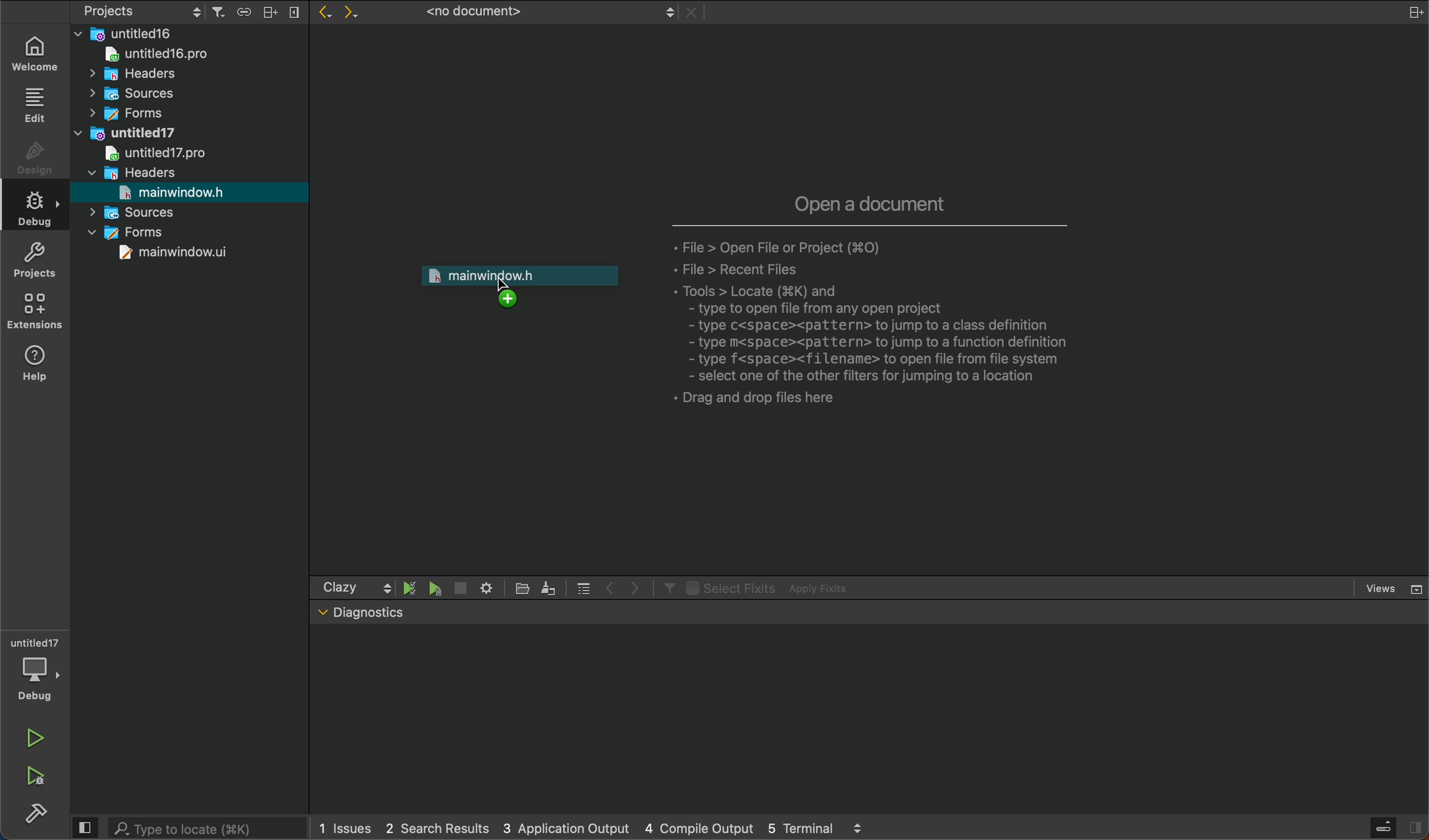  What do you see at coordinates (564, 826) in the screenshot?
I see `3 Application Output` at bounding box center [564, 826].